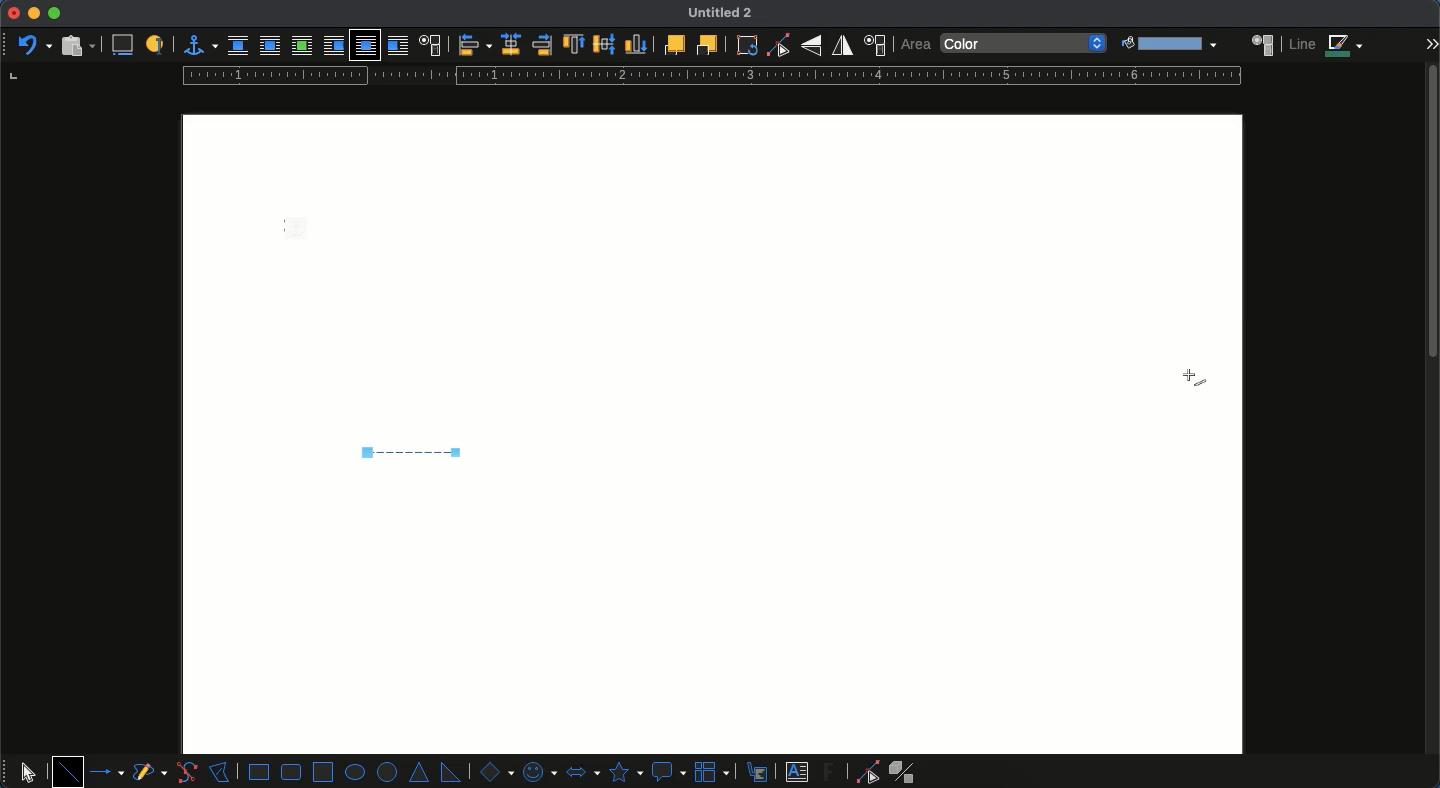  Describe the element at coordinates (109, 772) in the screenshot. I see `lines and arrows` at that location.